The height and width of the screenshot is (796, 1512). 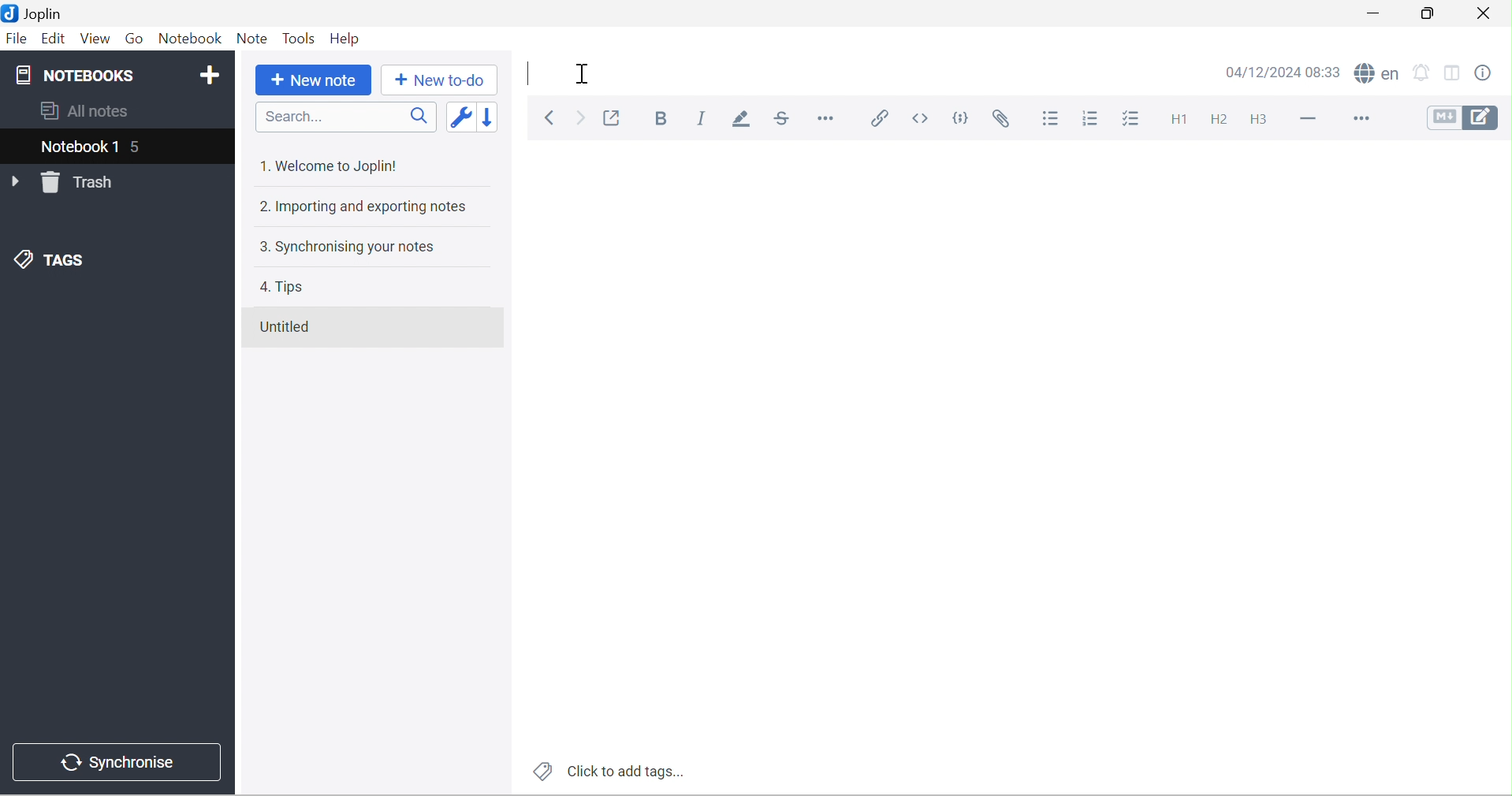 I want to click on New to-do, so click(x=445, y=80).